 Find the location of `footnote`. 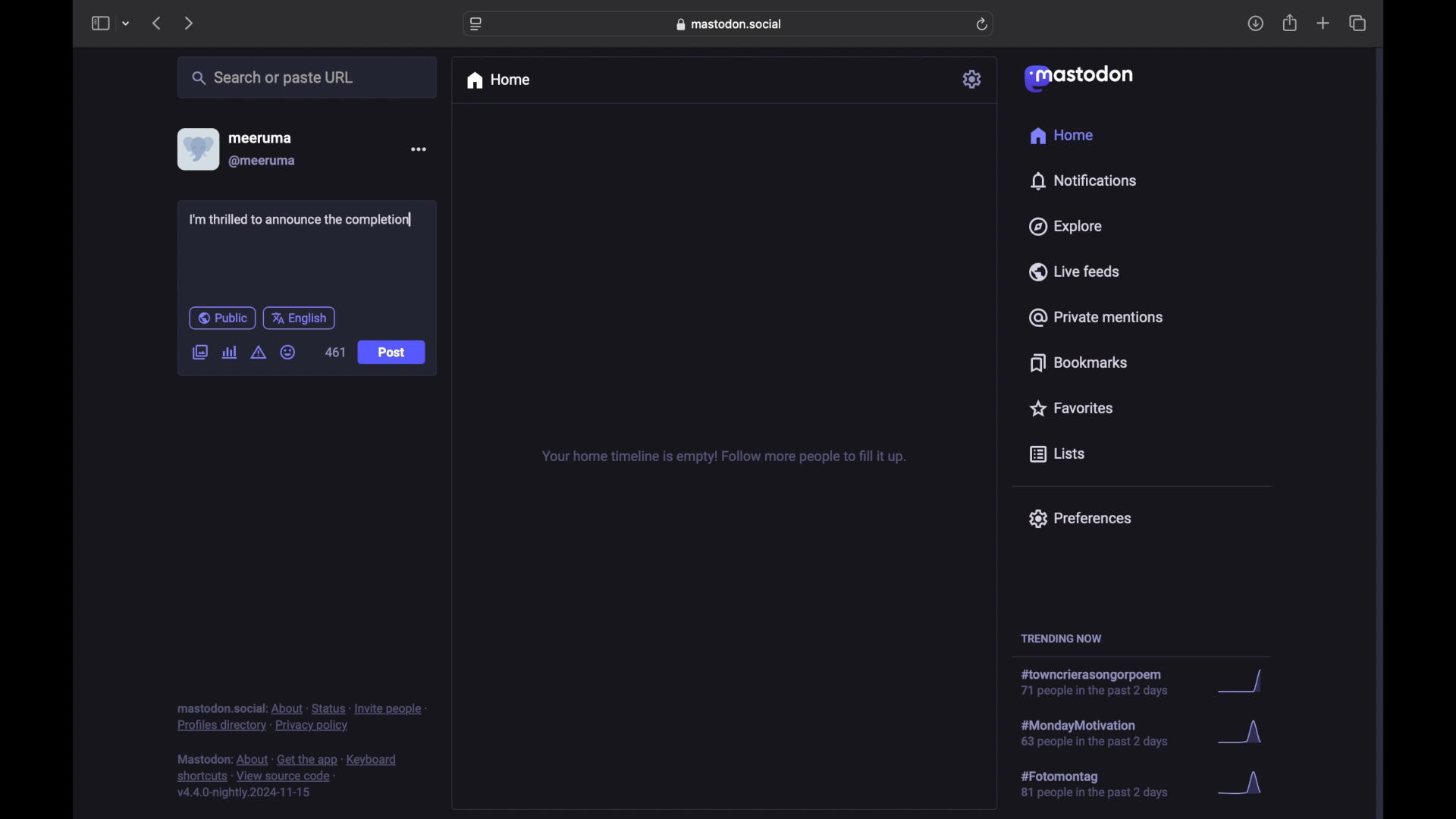

footnote is located at coordinates (301, 718).